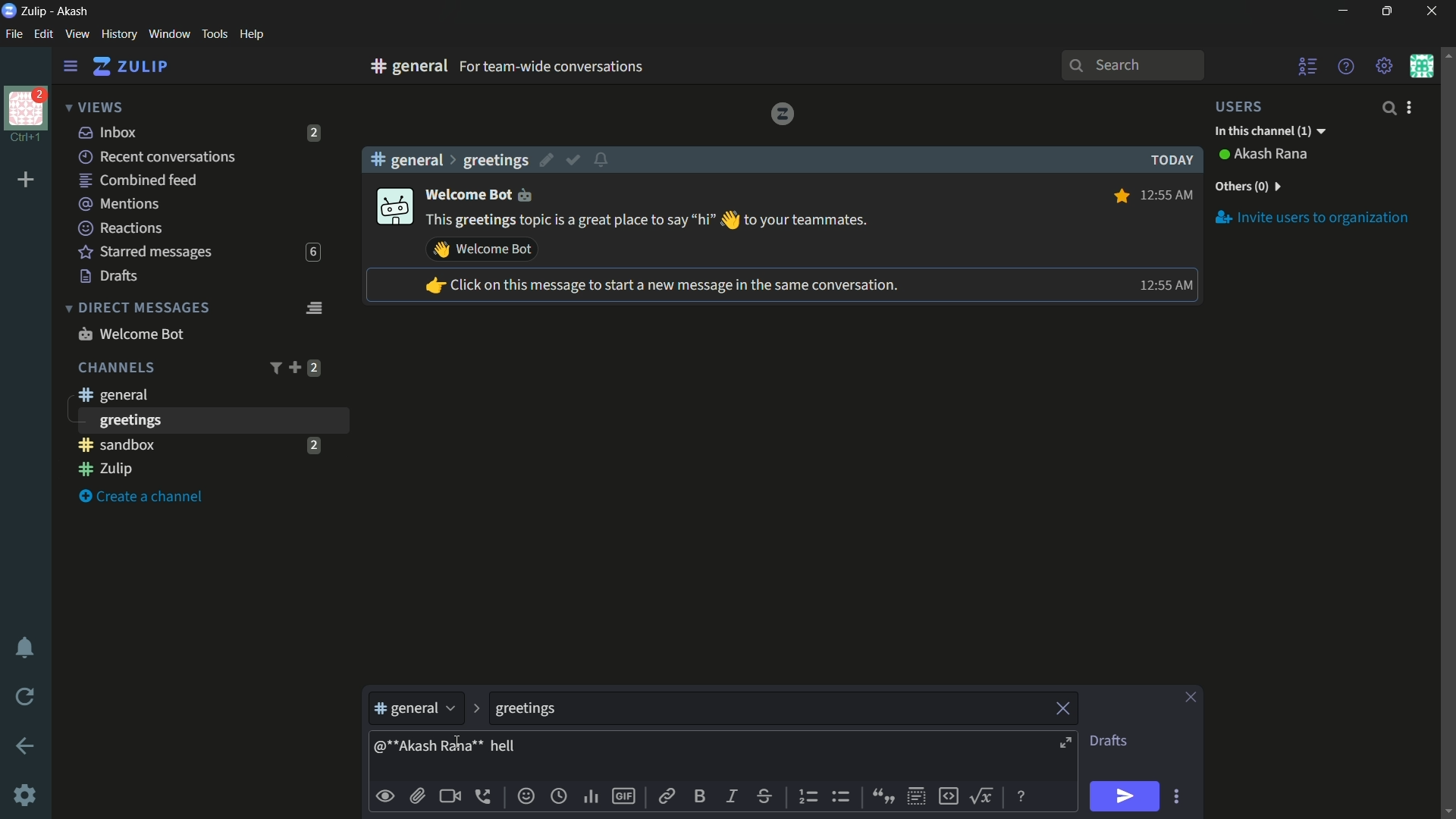 The width and height of the screenshot is (1456, 819). What do you see at coordinates (251, 35) in the screenshot?
I see `help menu` at bounding box center [251, 35].